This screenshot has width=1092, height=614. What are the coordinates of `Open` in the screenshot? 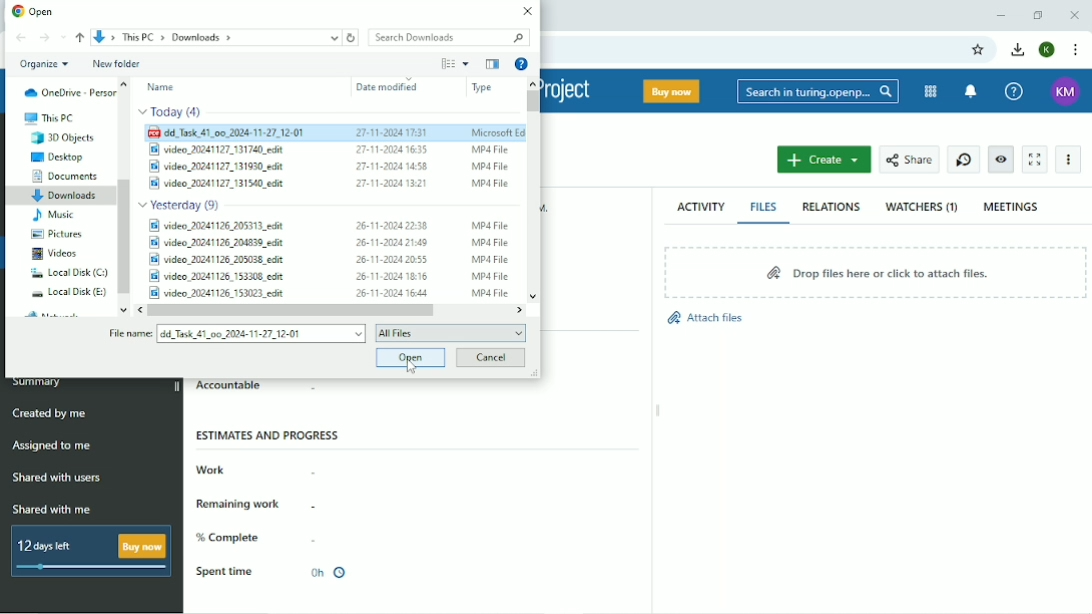 It's located at (34, 10).